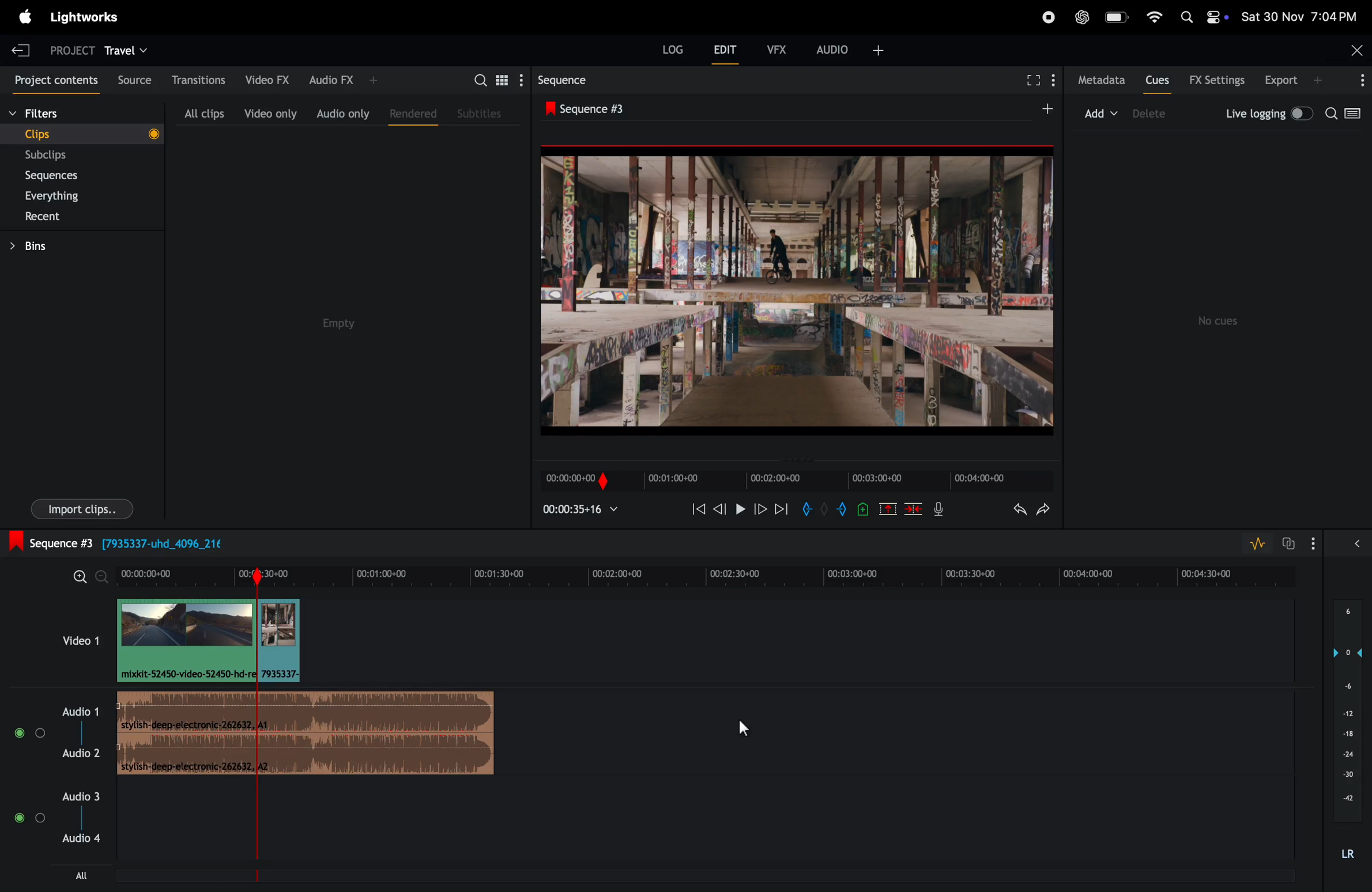 The width and height of the screenshot is (1372, 892). What do you see at coordinates (1356, 81) in the screenshot?
I see `more options` at bounding box center [1356, 81].